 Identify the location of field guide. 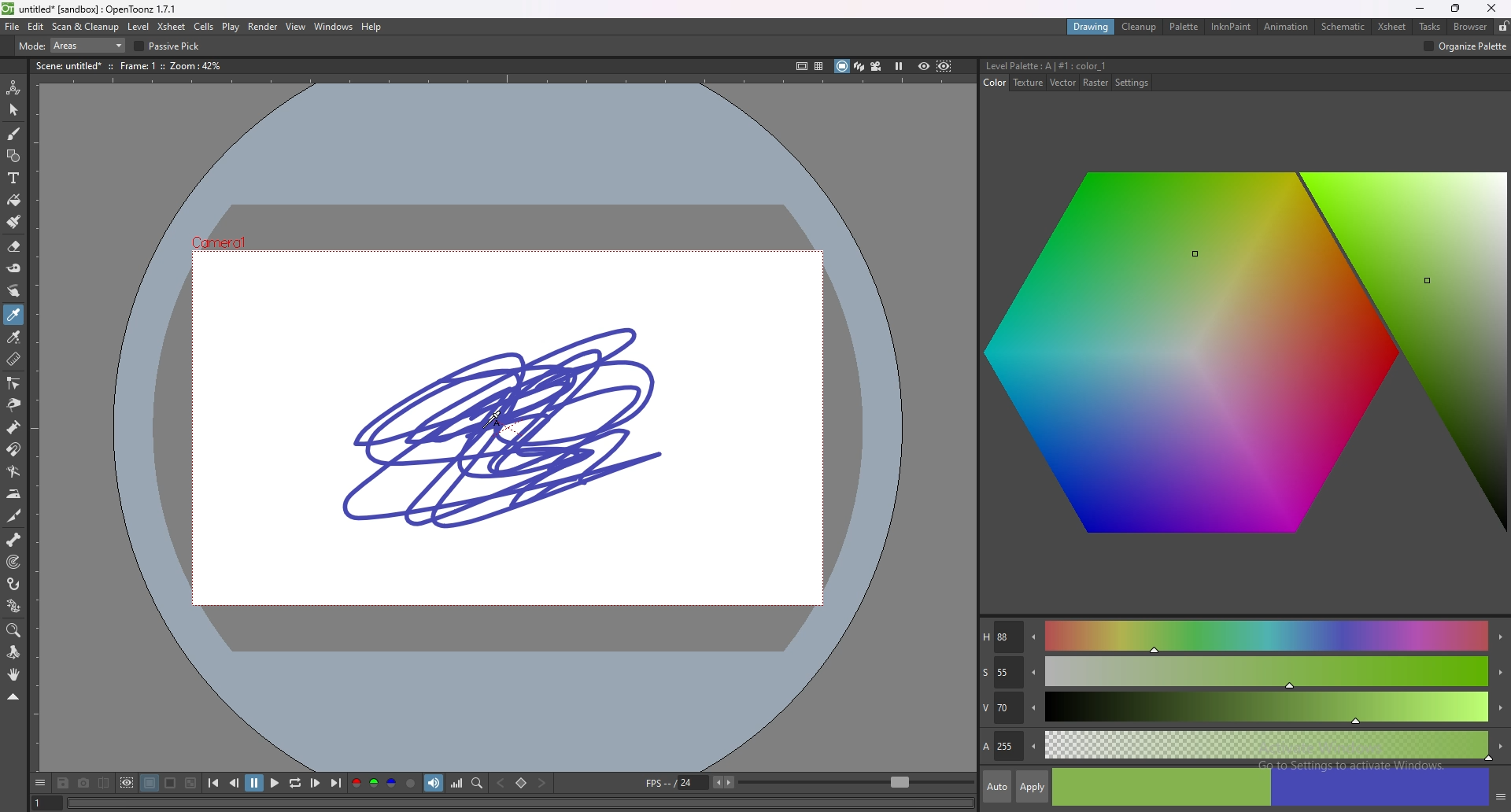
(819, 66).